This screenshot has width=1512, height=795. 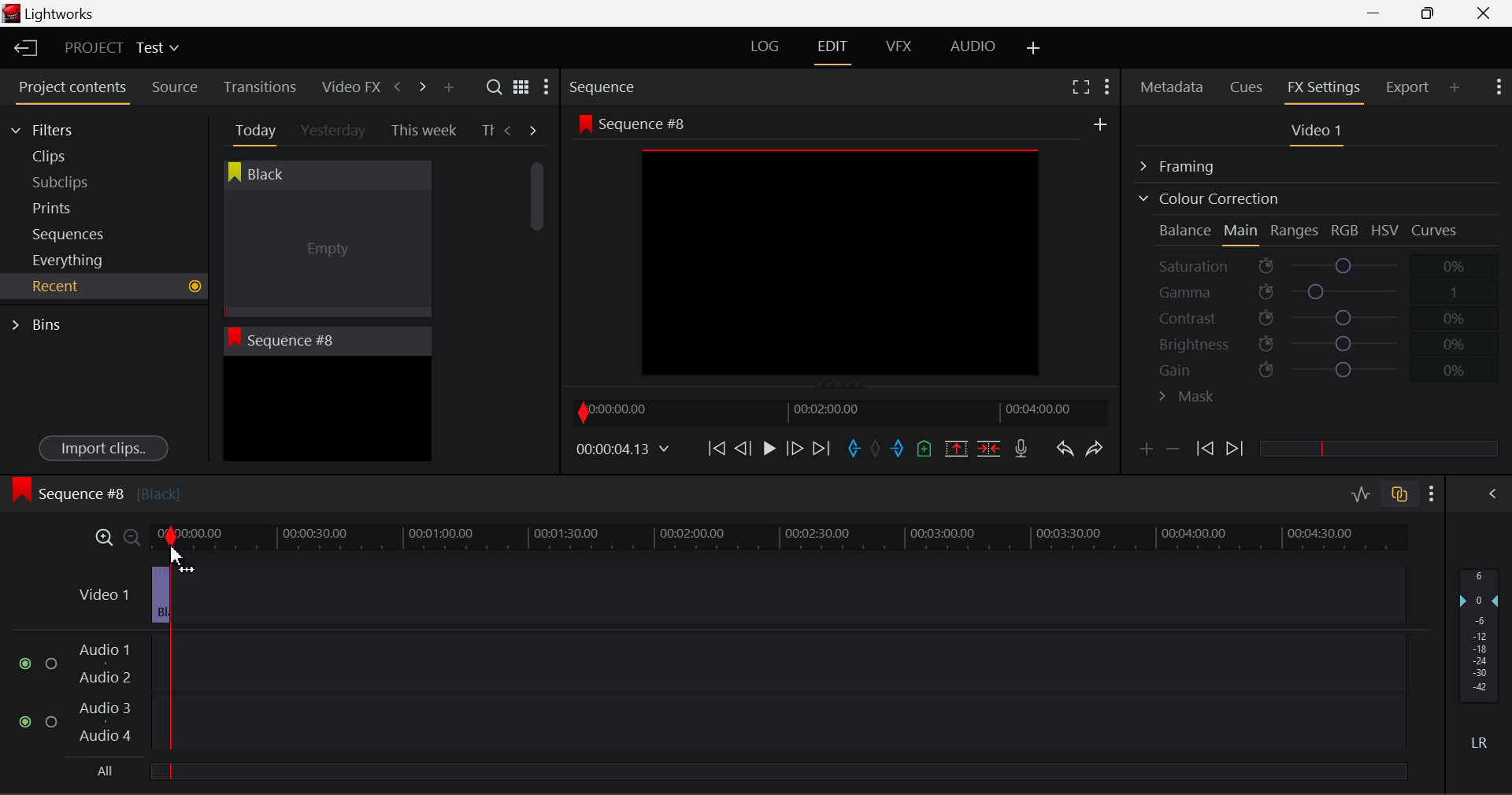 What do you see at coordinates (1432, 494) in the screenshot?
I see `Show Settings` at bounding box center [1432, 494].